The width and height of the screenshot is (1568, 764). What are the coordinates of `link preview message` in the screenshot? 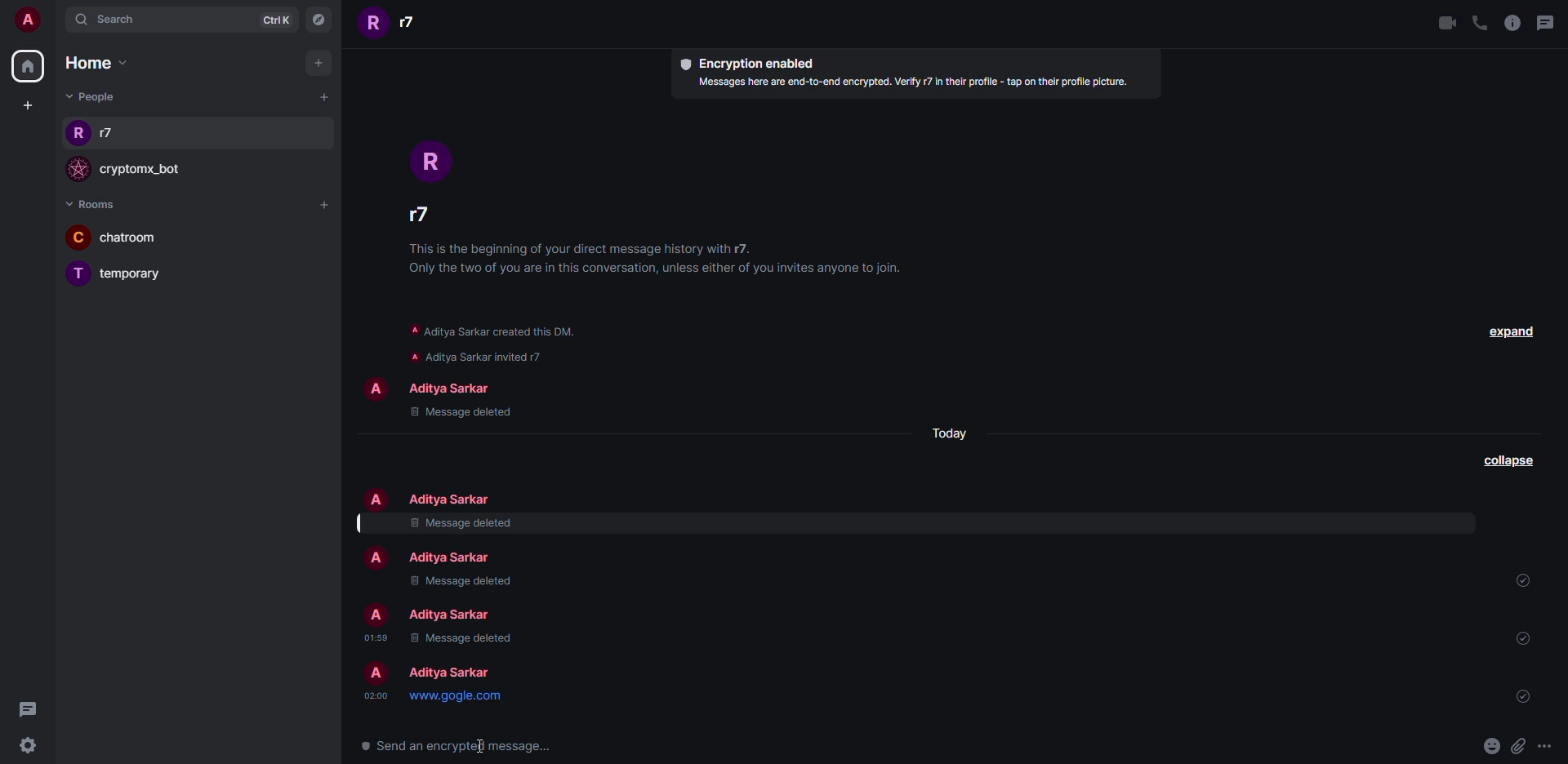 It's located at (459, 697).